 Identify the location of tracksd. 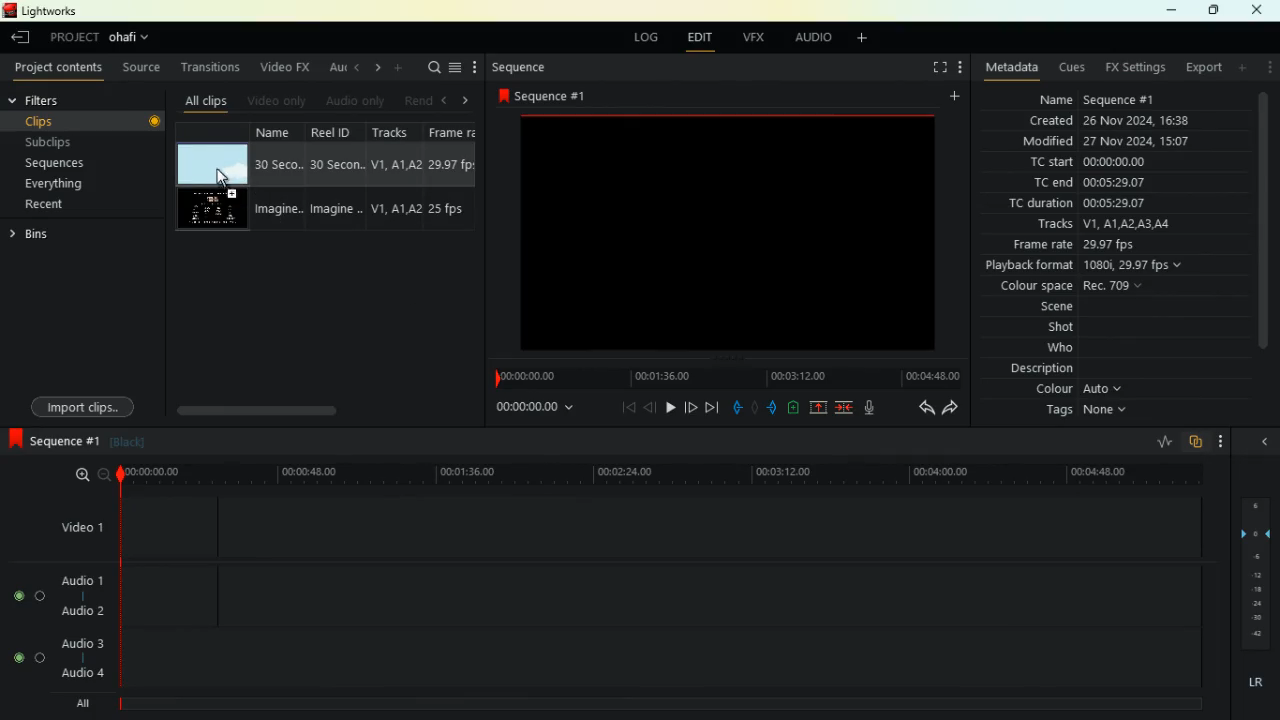
(396, 133).